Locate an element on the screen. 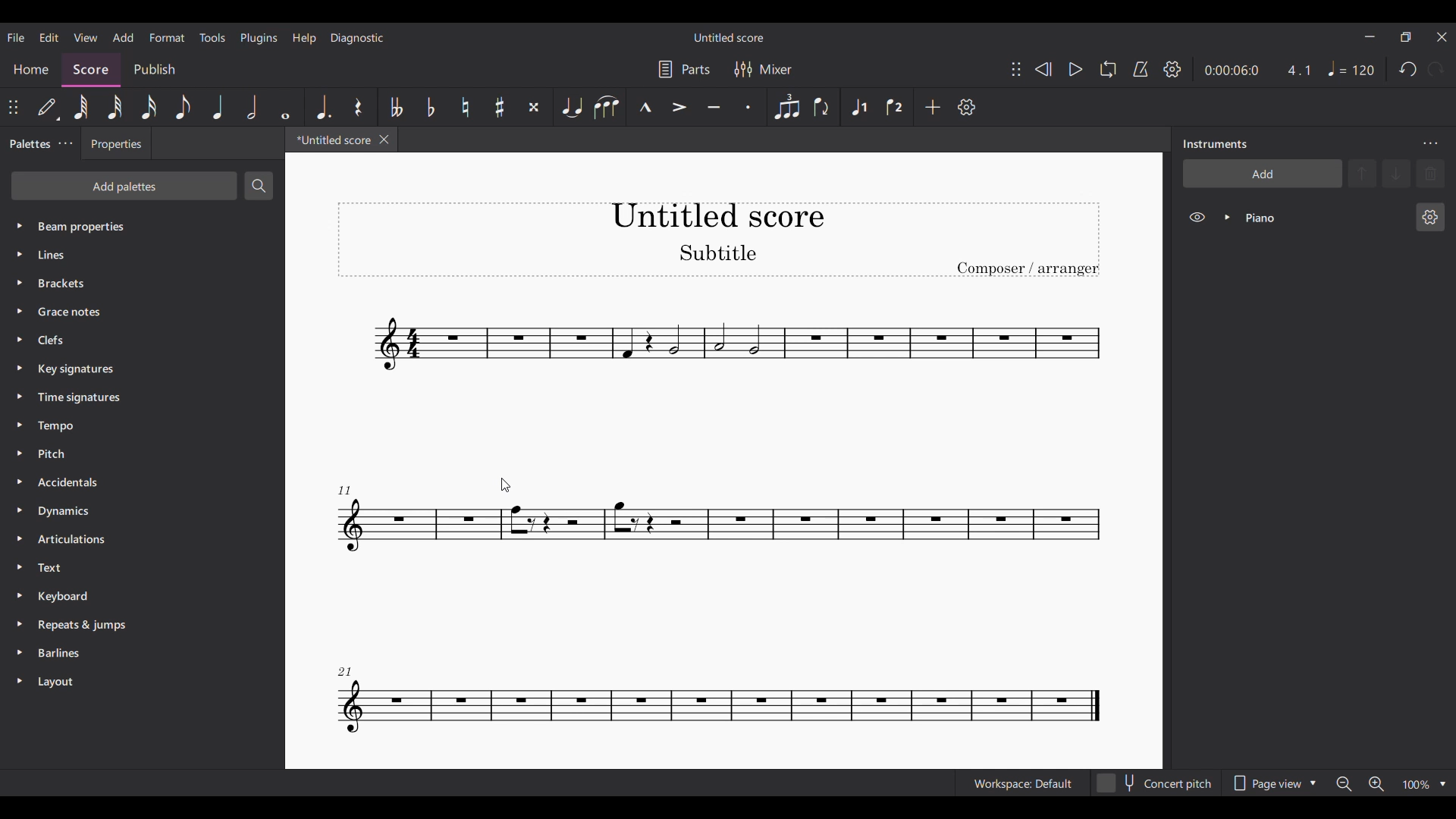 The width and height of the screenshot is (1456, 819). Toggle natural is located at coordinates (465, 107).